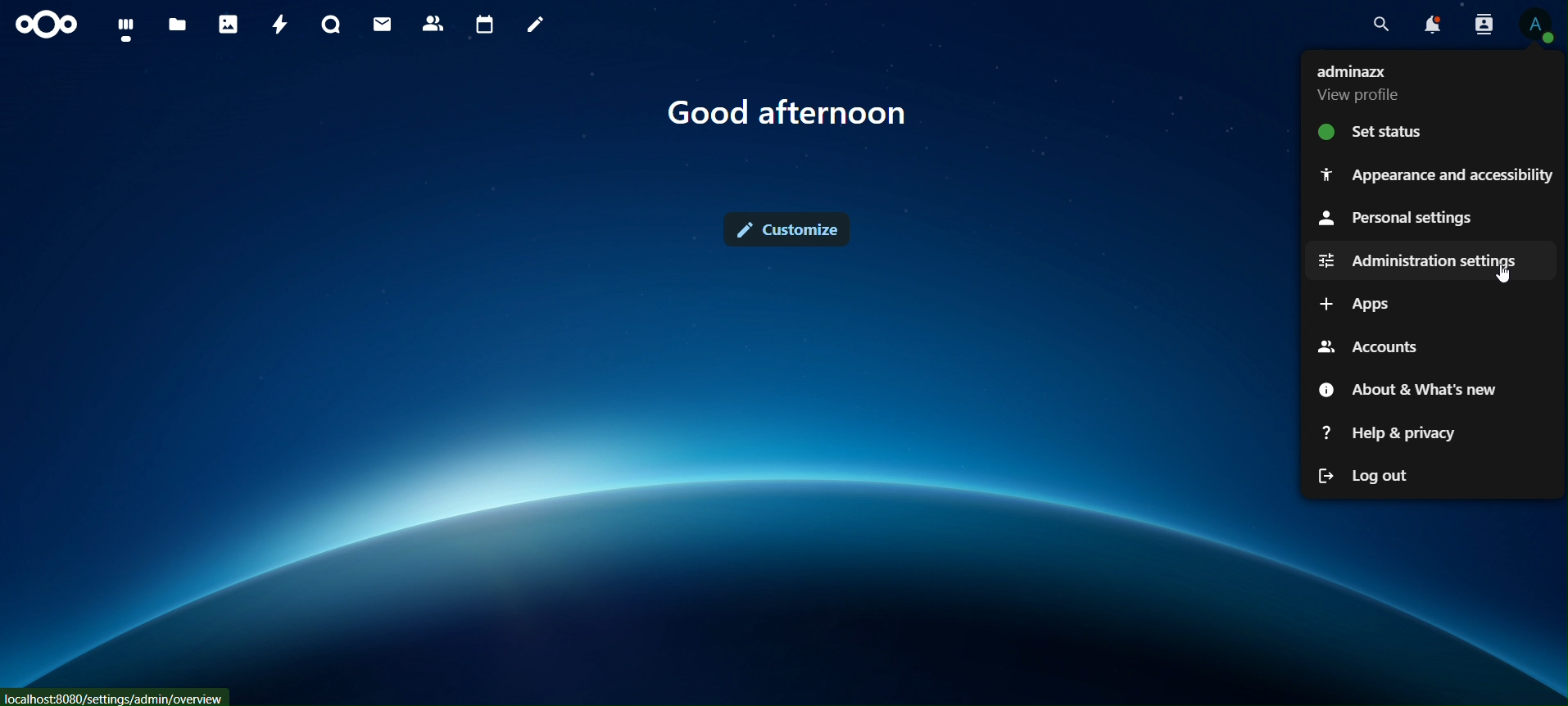  What do you see at coordinates (383, 25) in the screenshot?
I see `mail` at bounding box center [383, 25].